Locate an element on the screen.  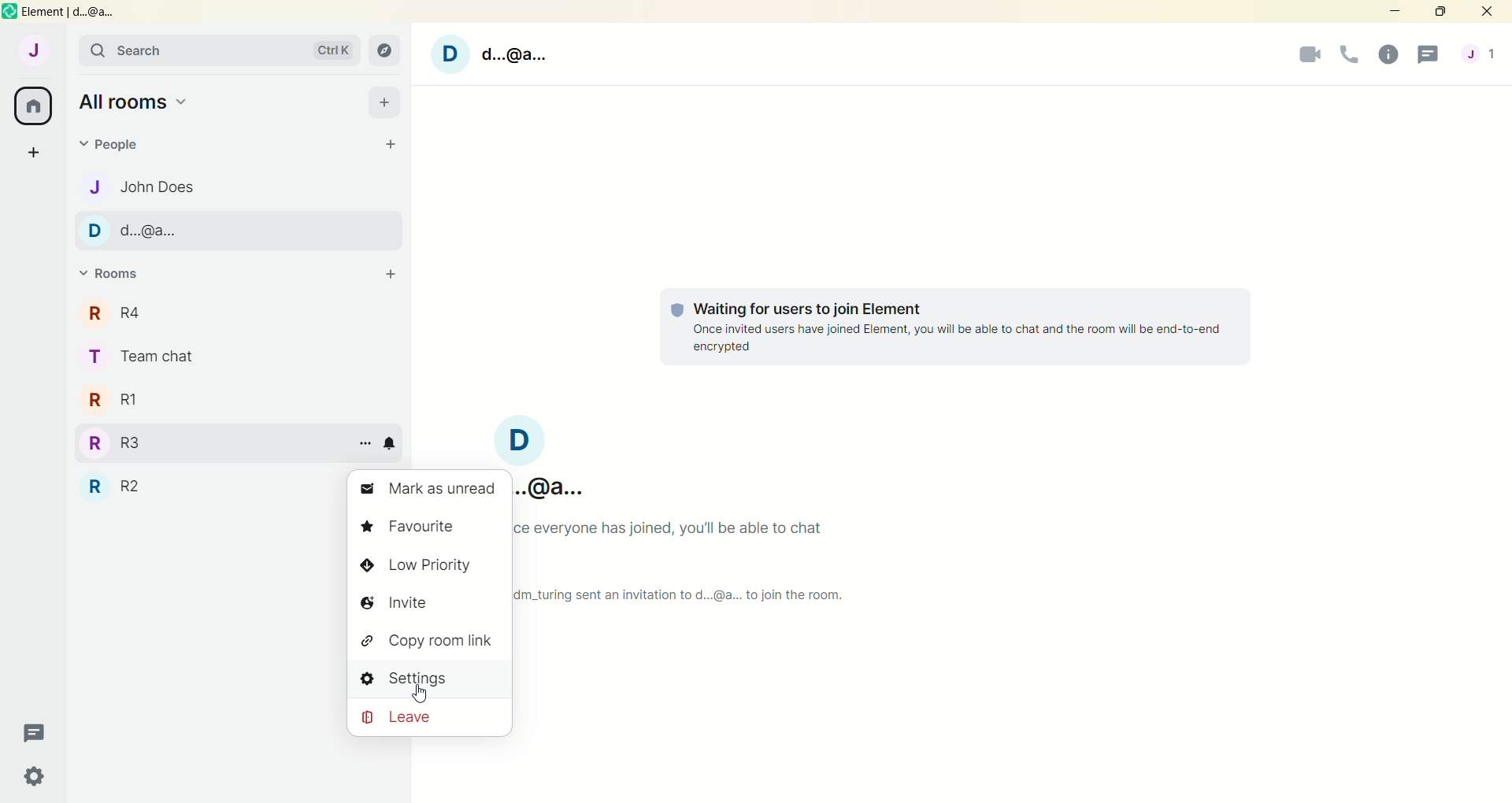
threads is located at coordinates (1429, 57).